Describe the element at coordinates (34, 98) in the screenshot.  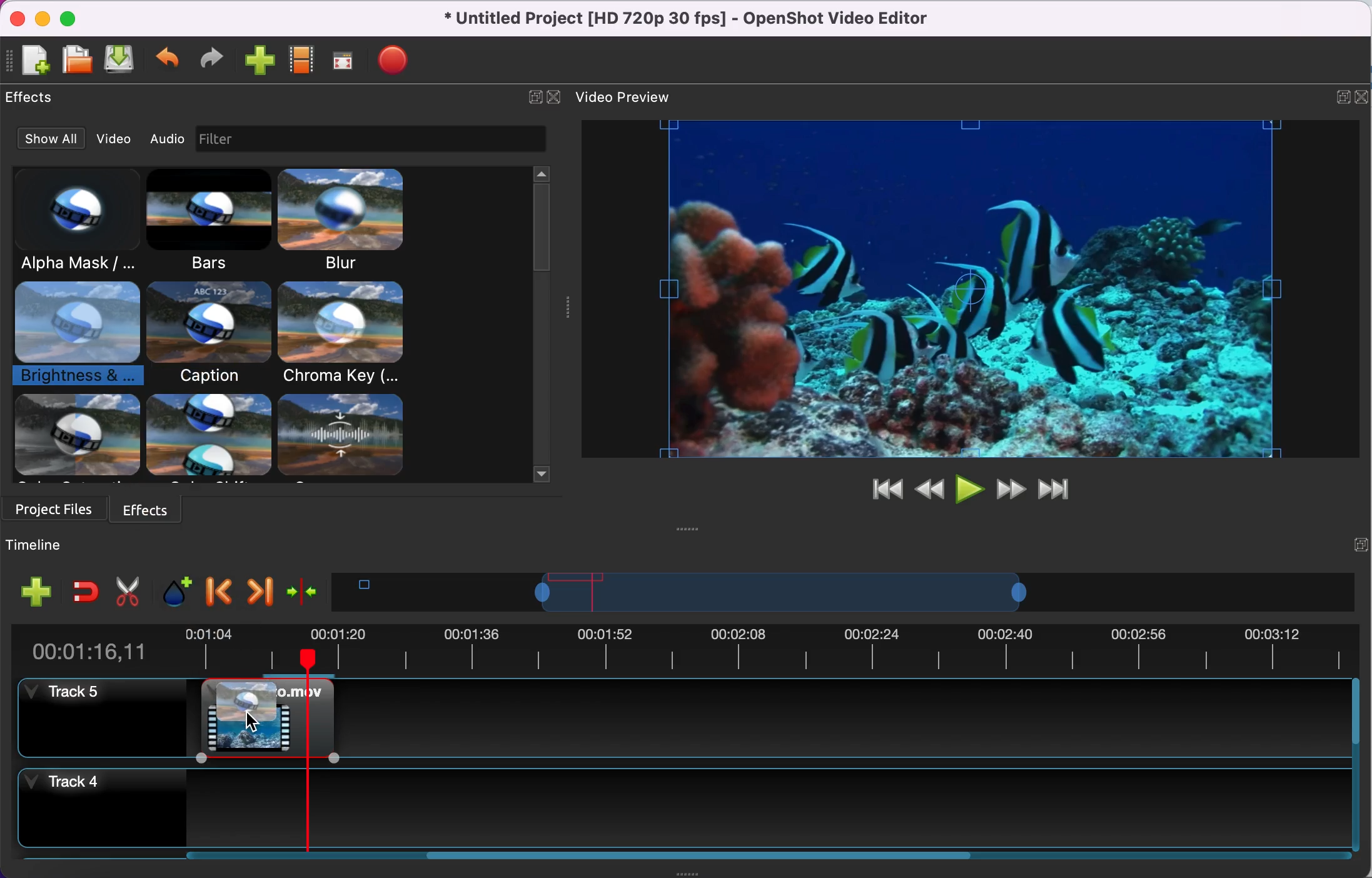
I see `effecs` at that location.